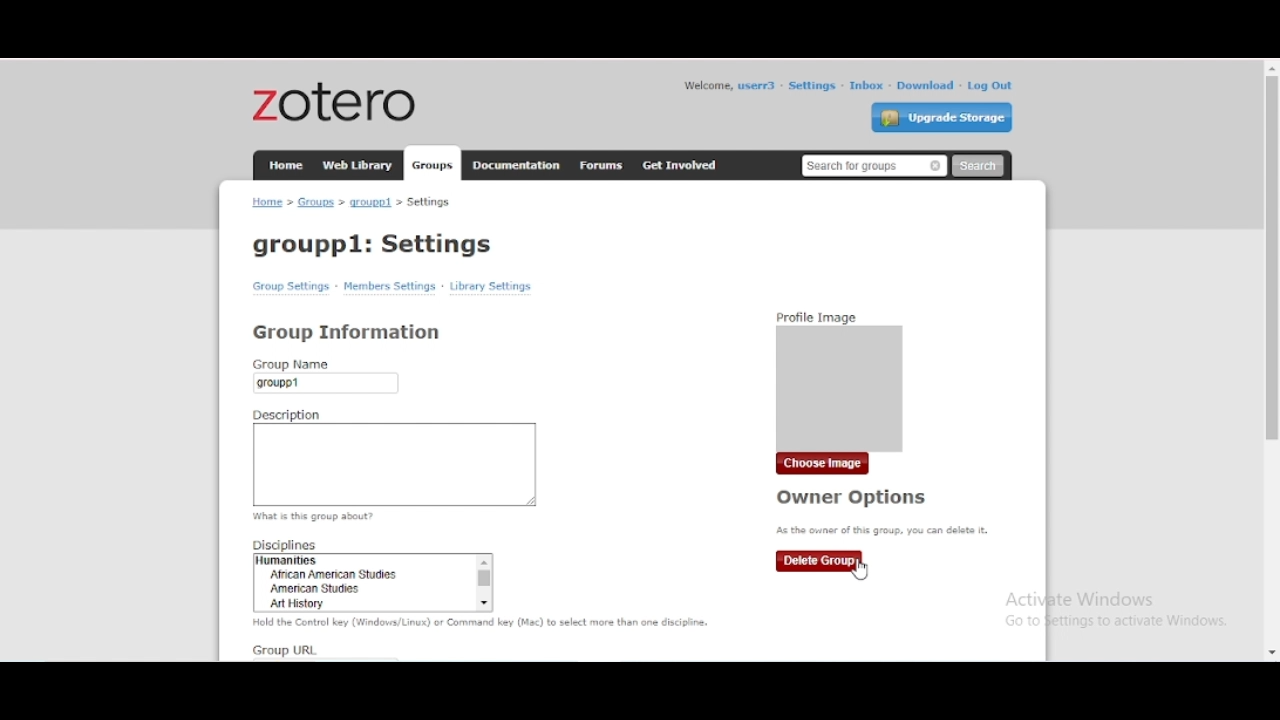 This screenshot has width=1280, height=720. I want to click on web library, so click(357, 164).